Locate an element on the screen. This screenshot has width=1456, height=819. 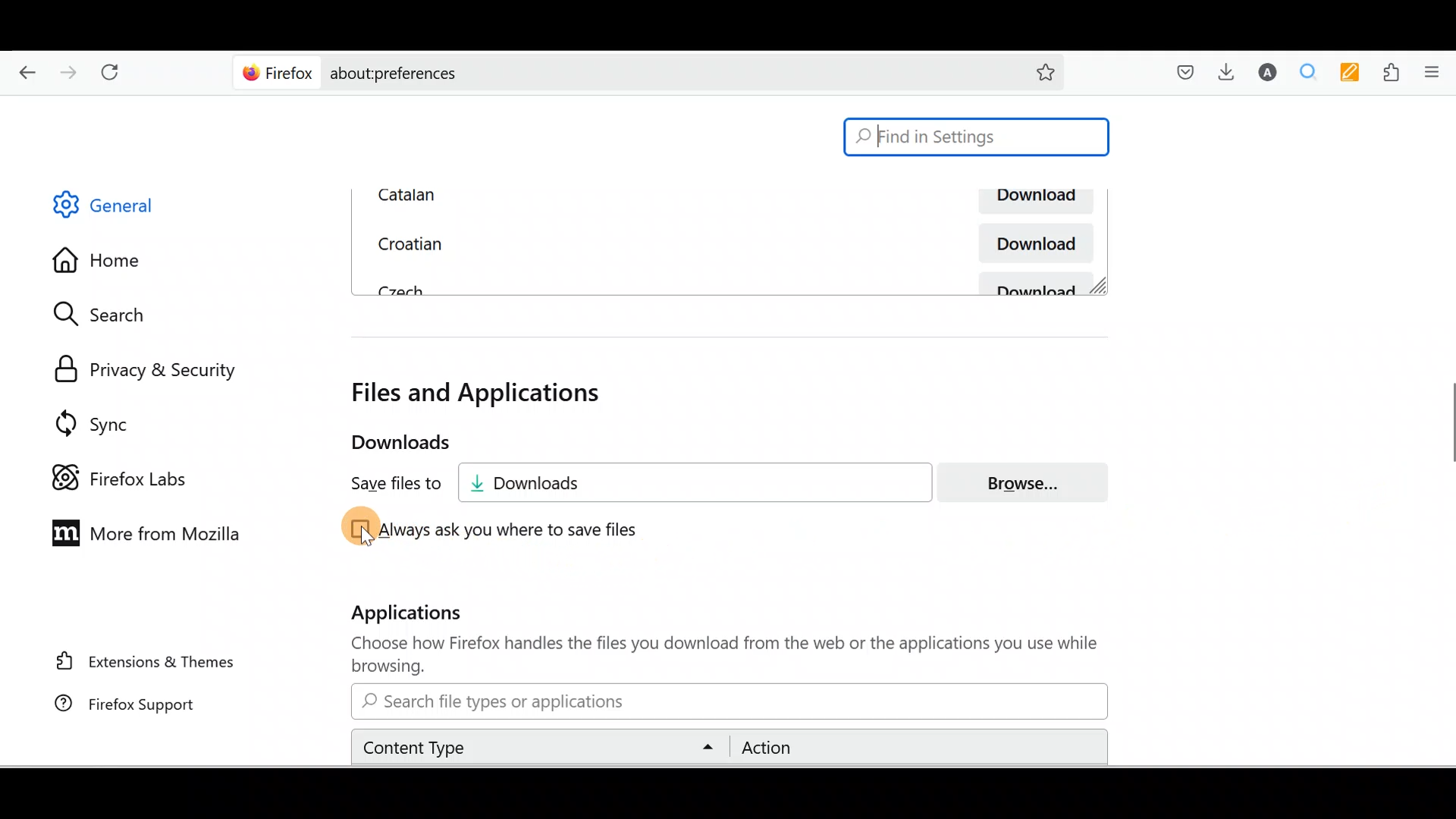
Save to pocket is located at coordinates (1179, 72).